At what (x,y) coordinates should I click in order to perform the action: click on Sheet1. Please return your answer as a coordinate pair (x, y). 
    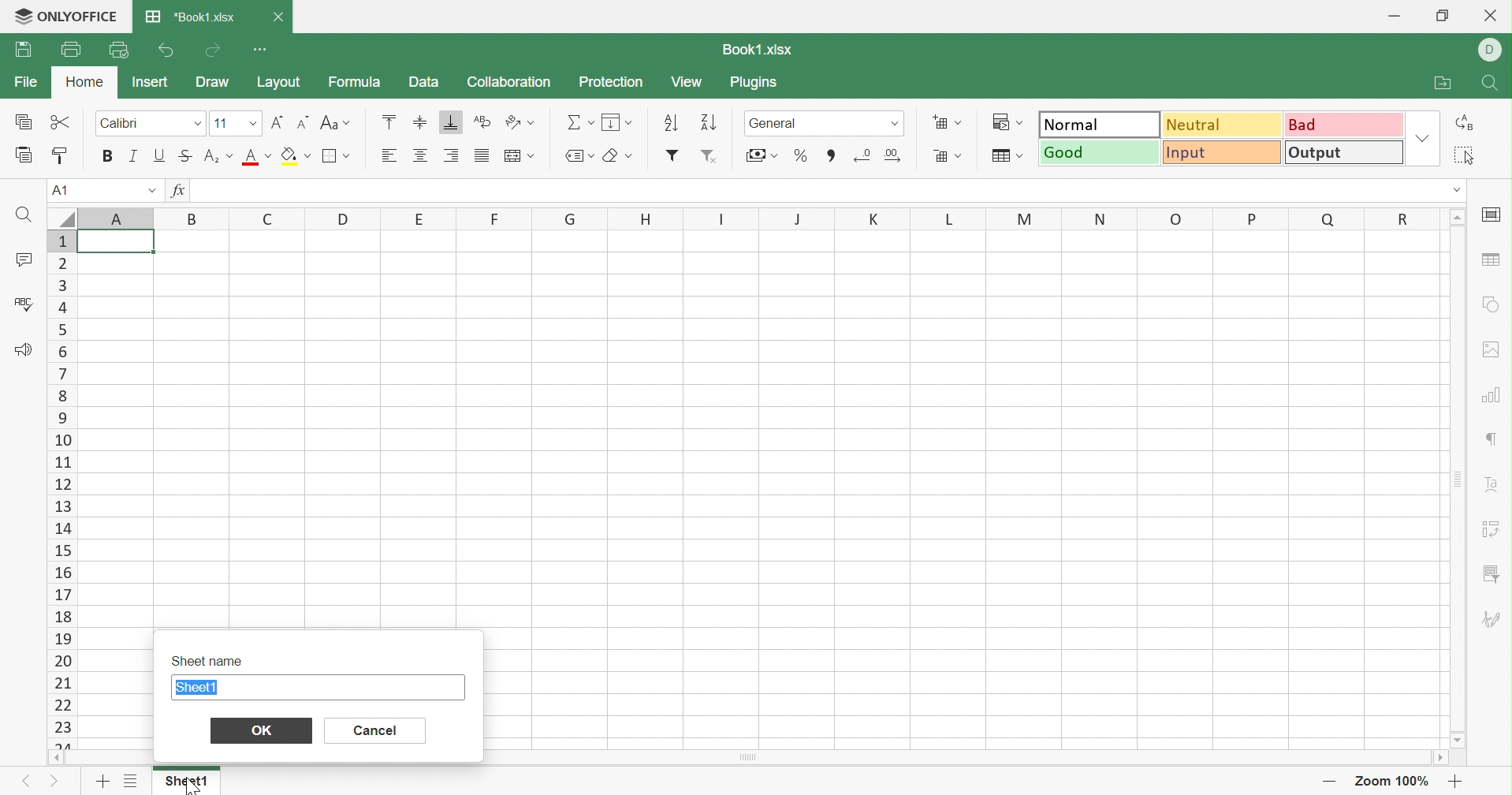
    Looking at the image, I should click on (199, 687).